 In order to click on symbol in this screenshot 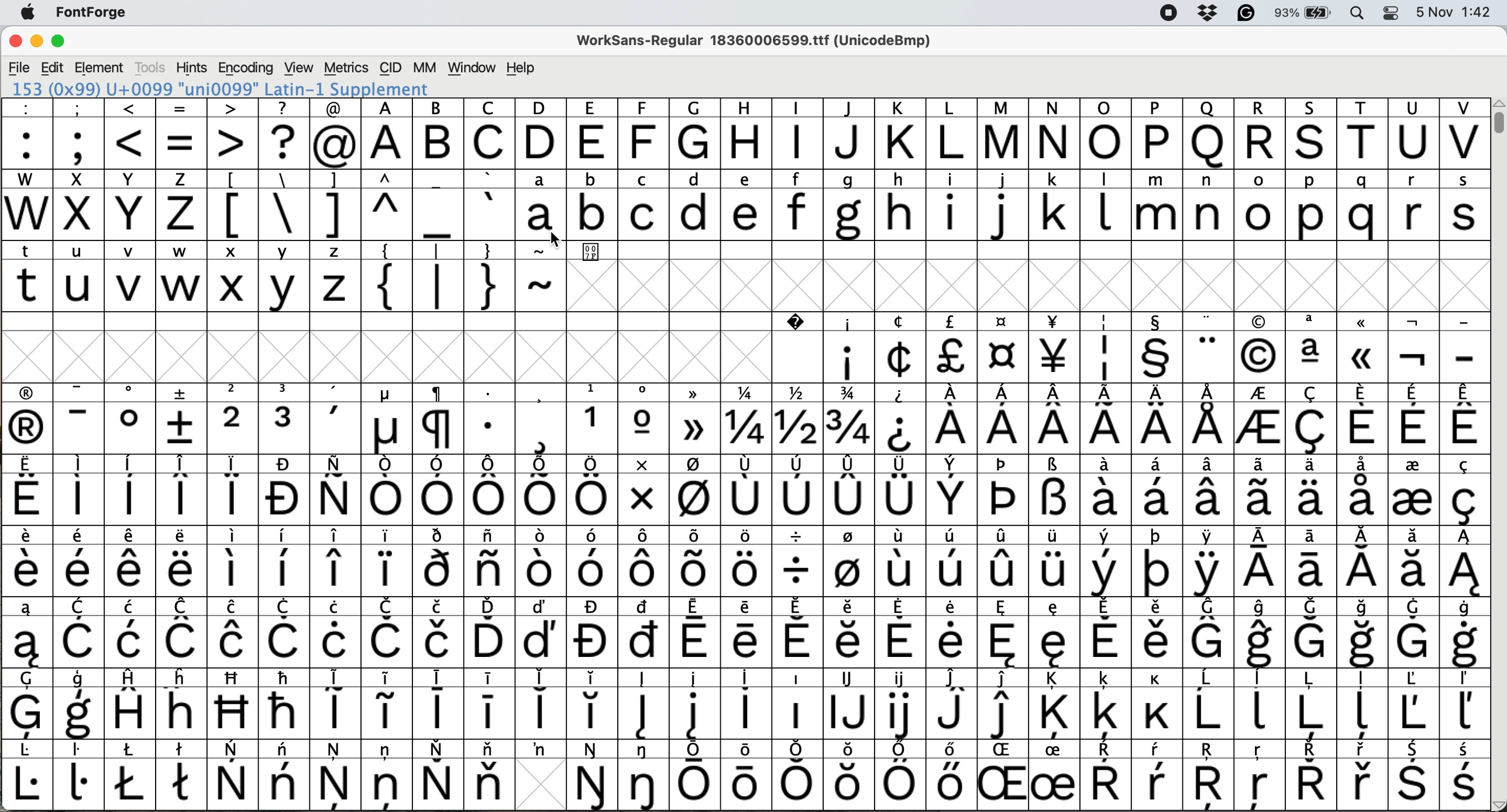, I will do `click(592, 703)`.